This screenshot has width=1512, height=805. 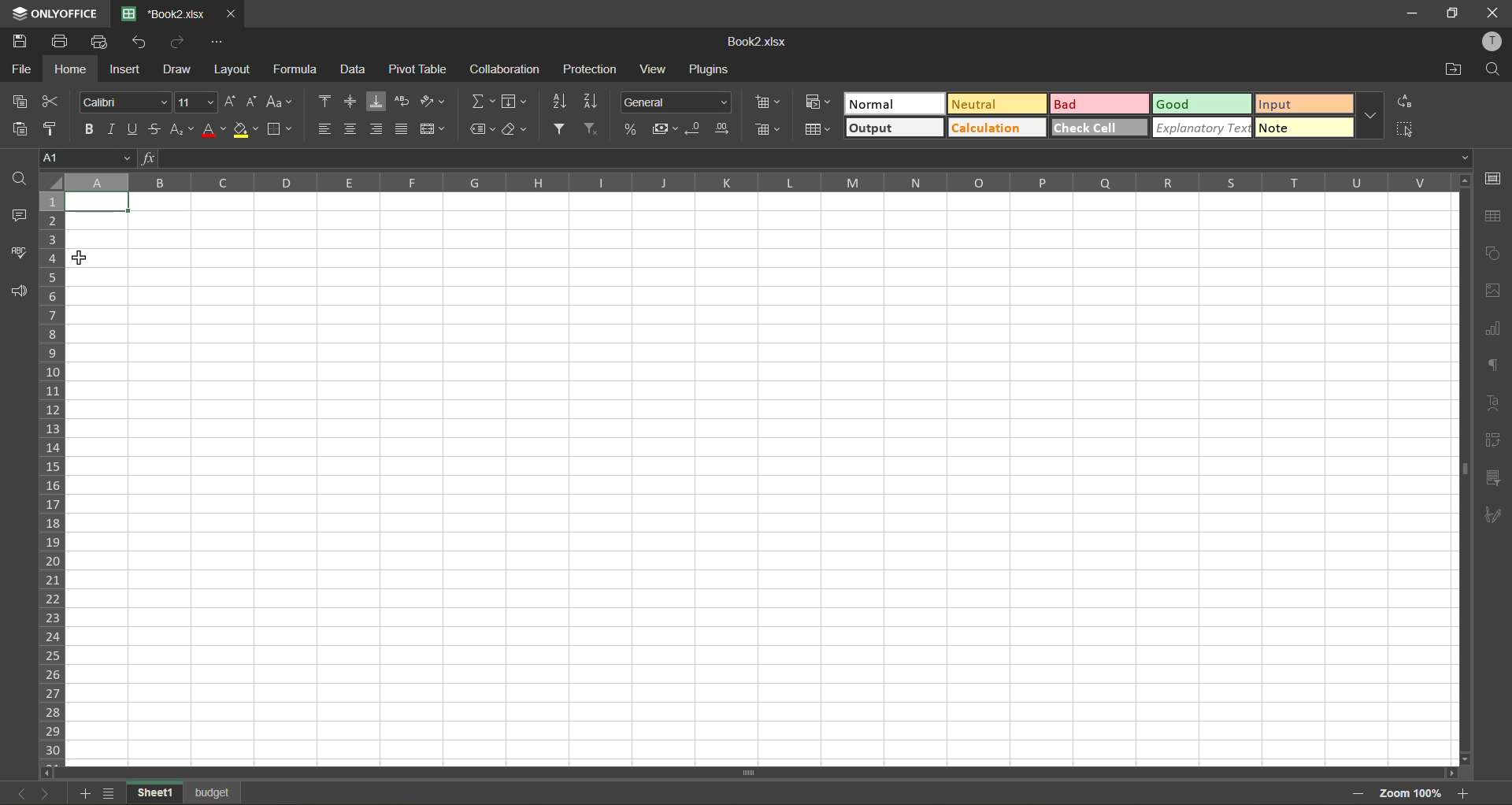 I want to click on font color, so click(x=213, y=130).